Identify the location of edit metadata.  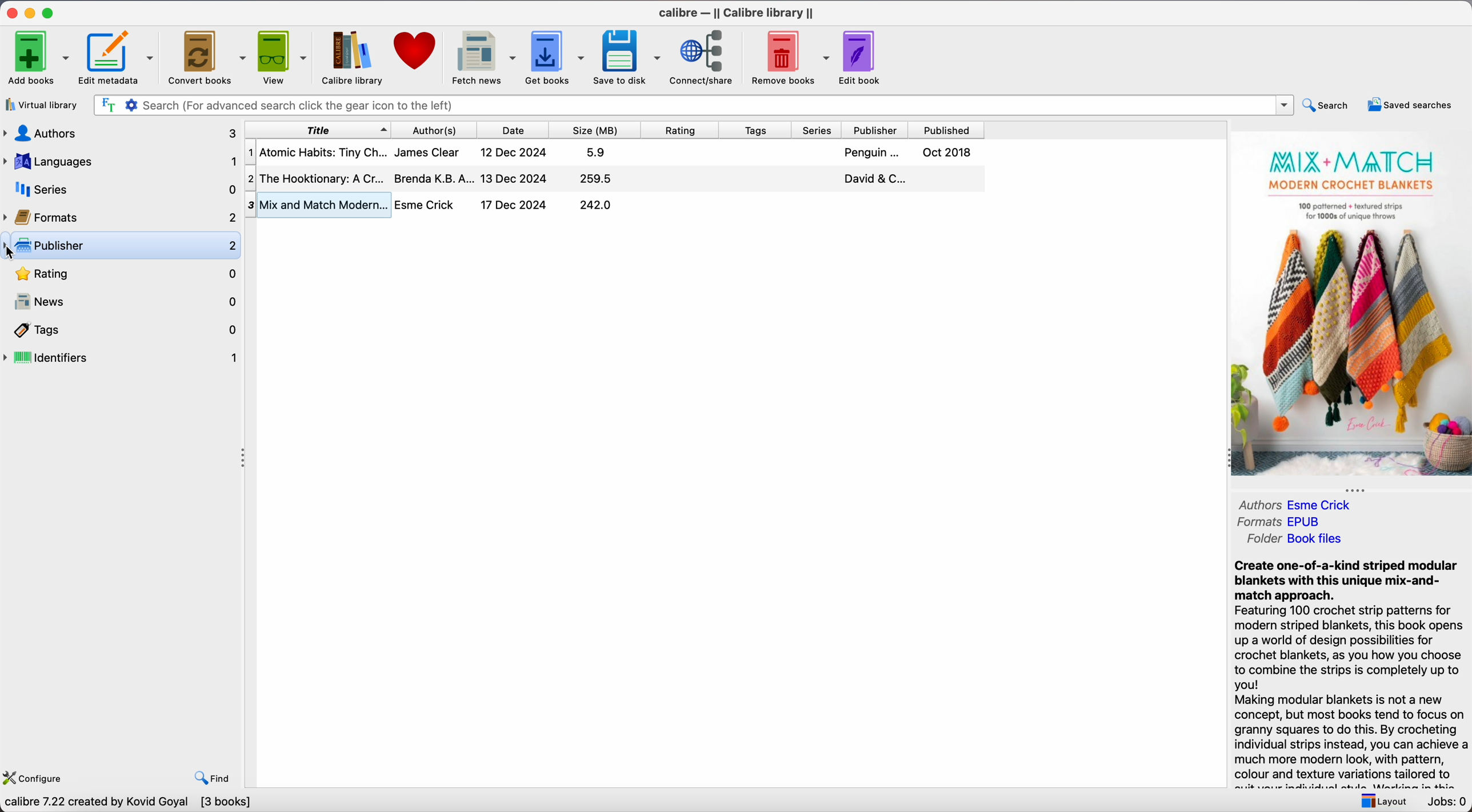
(119, 58).